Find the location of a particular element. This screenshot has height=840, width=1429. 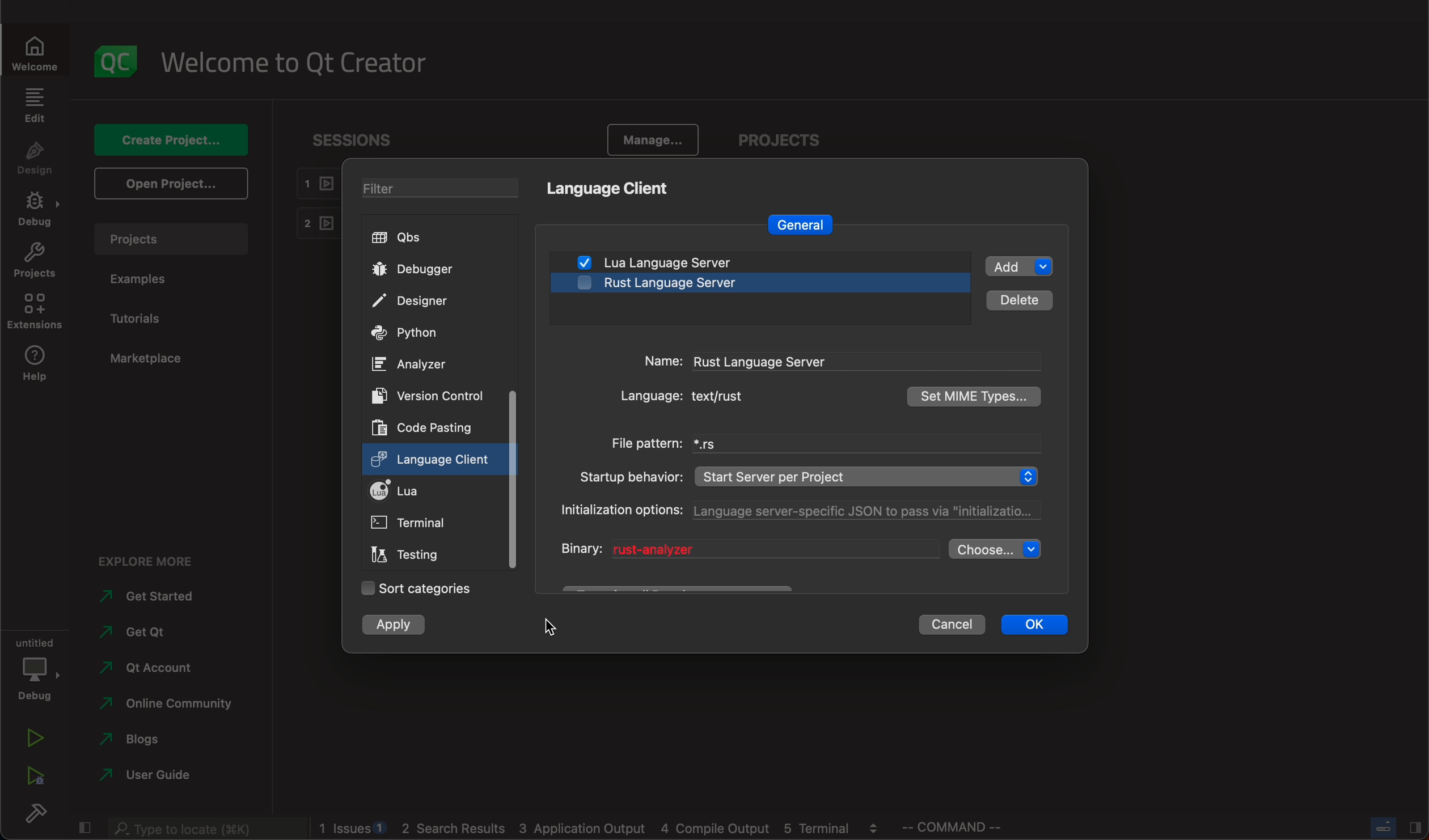

help is located at coordinates (36, 366).